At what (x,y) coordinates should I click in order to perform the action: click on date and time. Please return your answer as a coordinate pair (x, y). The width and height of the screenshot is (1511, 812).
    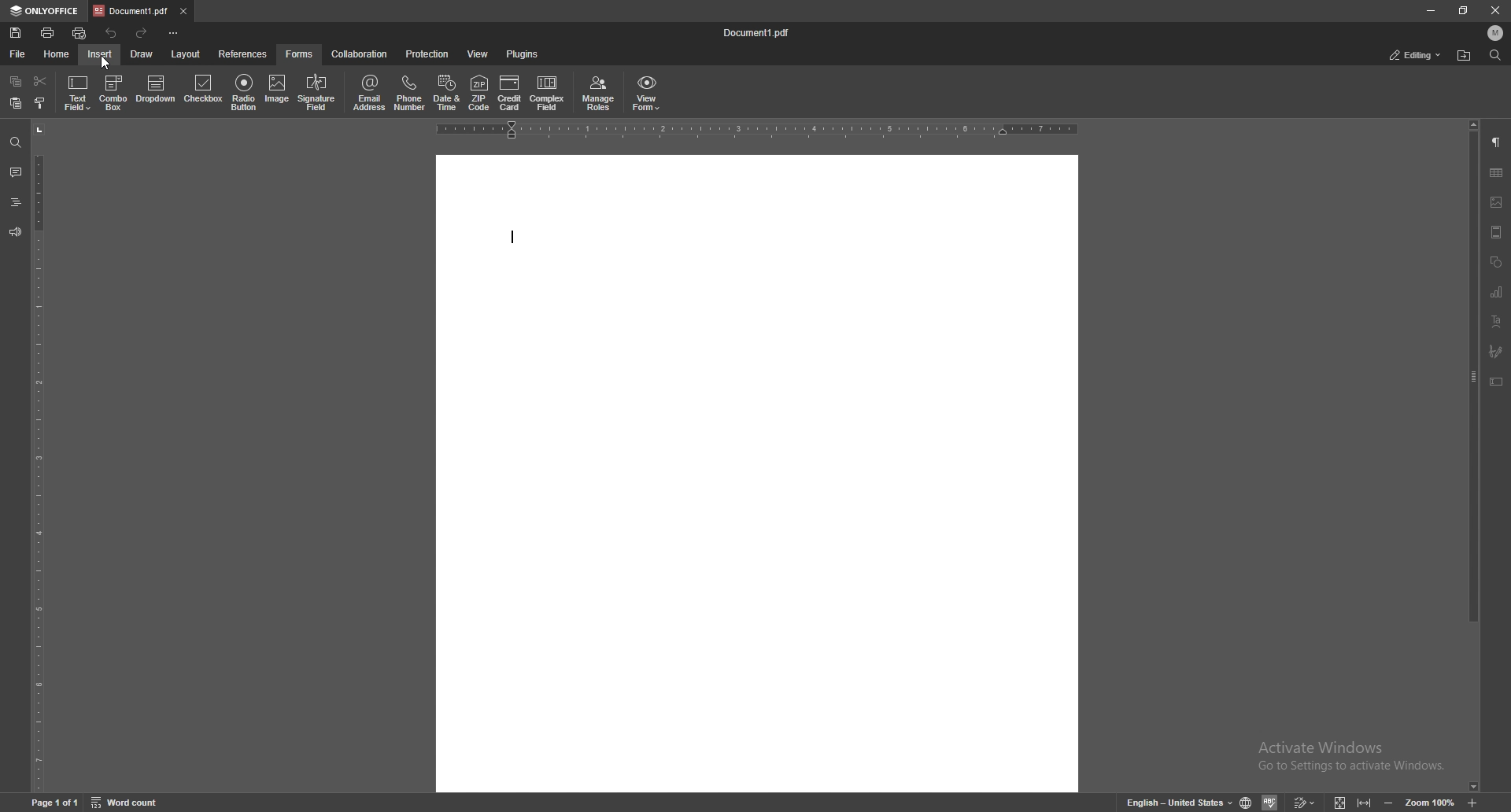
    Looking at the image, I should click on (447, 94).